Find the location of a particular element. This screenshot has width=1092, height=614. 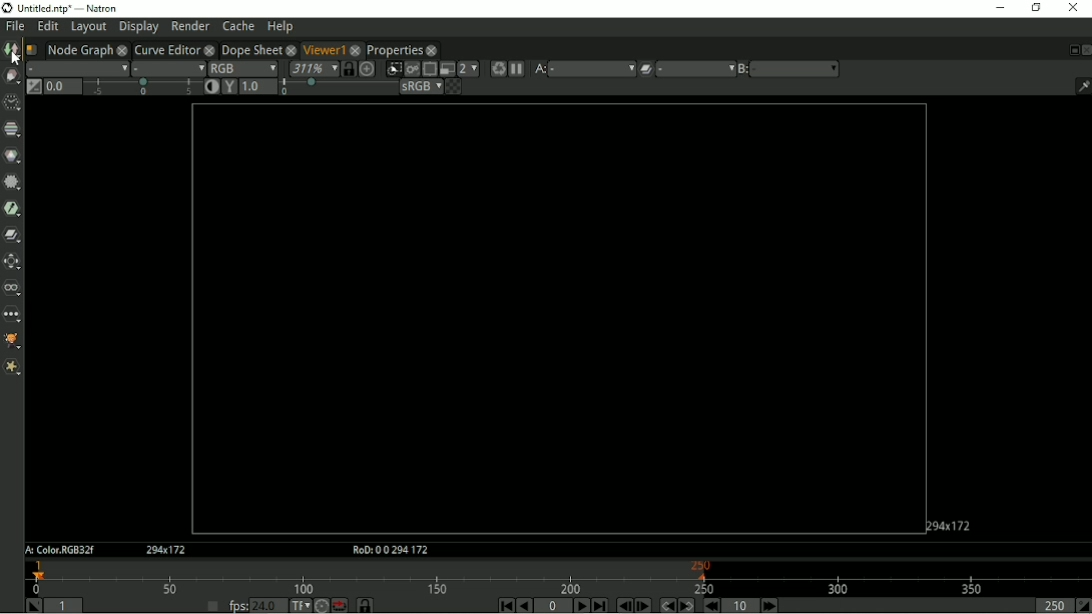

RoD is located at coordinates (387, 550).